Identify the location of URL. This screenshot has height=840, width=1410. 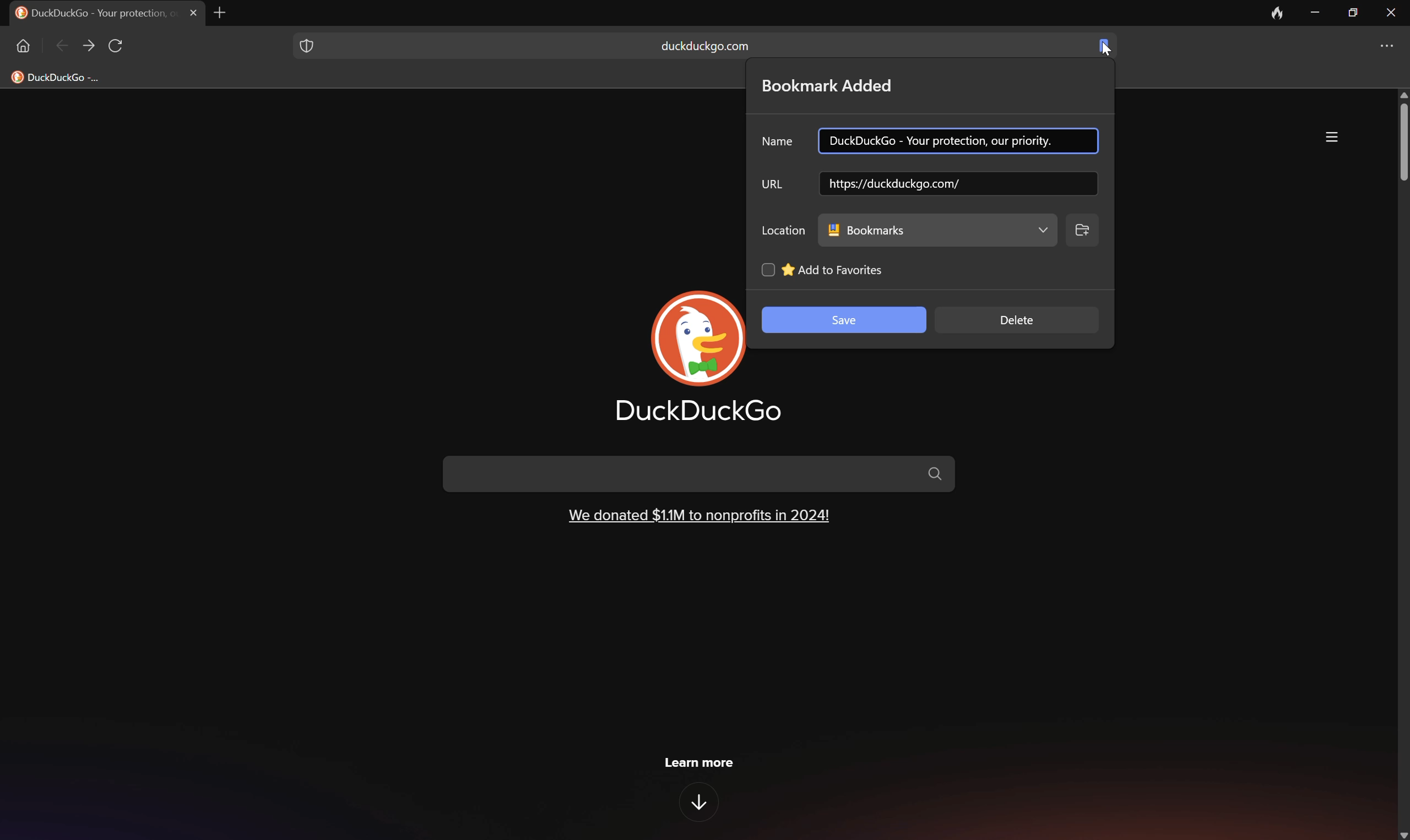
(773, 183).